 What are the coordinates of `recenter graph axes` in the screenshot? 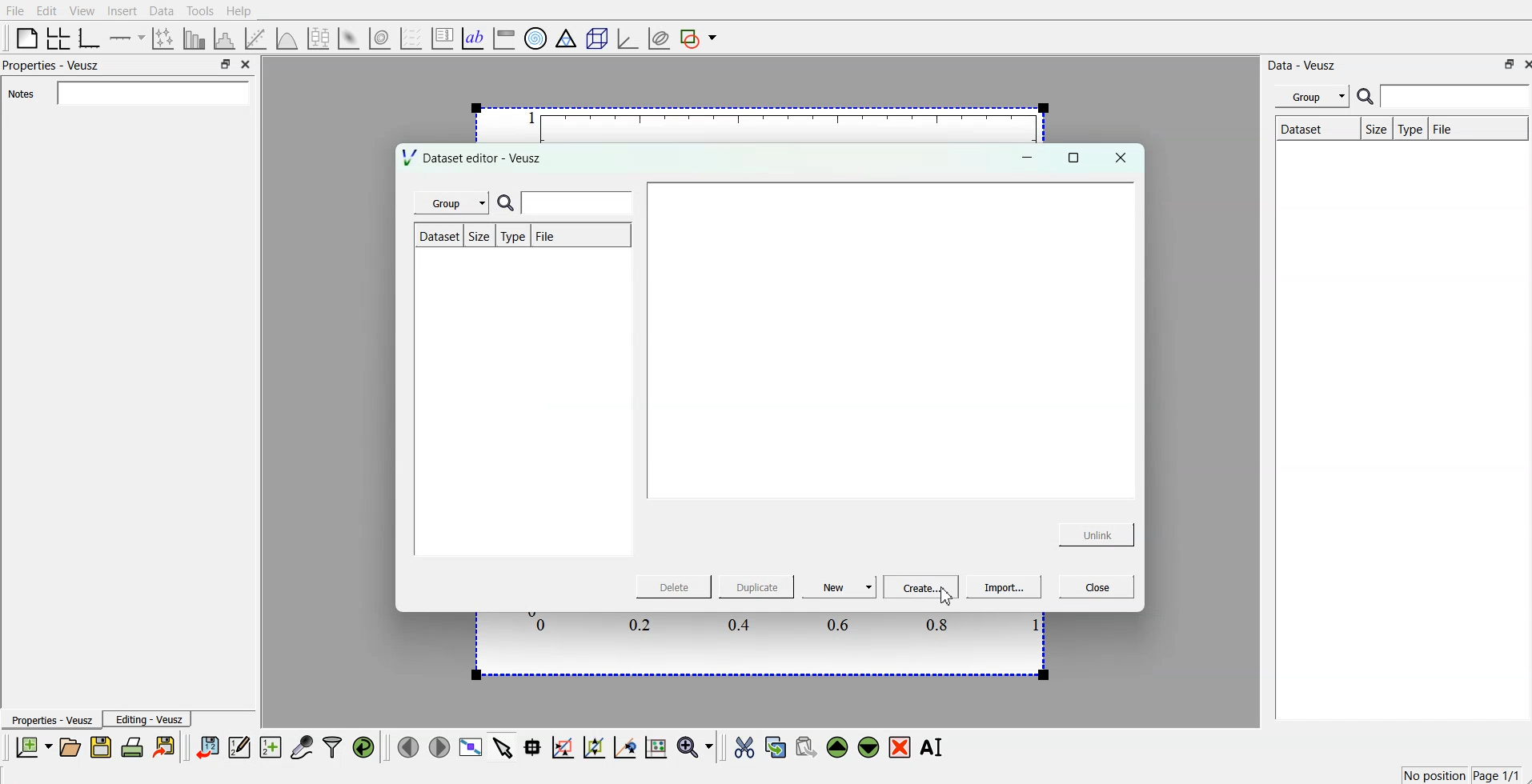 It's located at (624, 747).